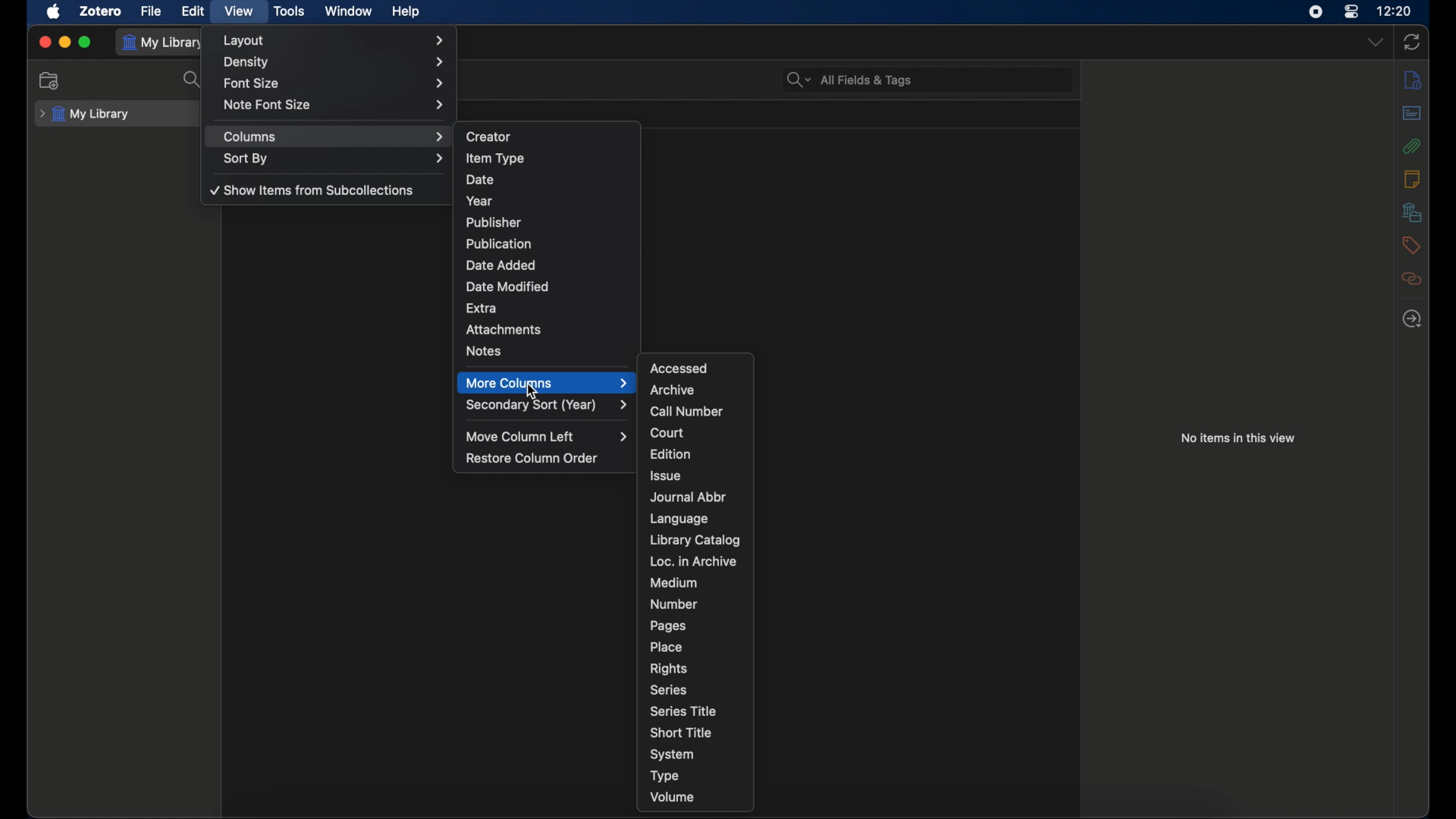 The image size is (1456, 819). Describe the element at coordinates (1412, 318) in the screenshot. I see `locate` at that location.